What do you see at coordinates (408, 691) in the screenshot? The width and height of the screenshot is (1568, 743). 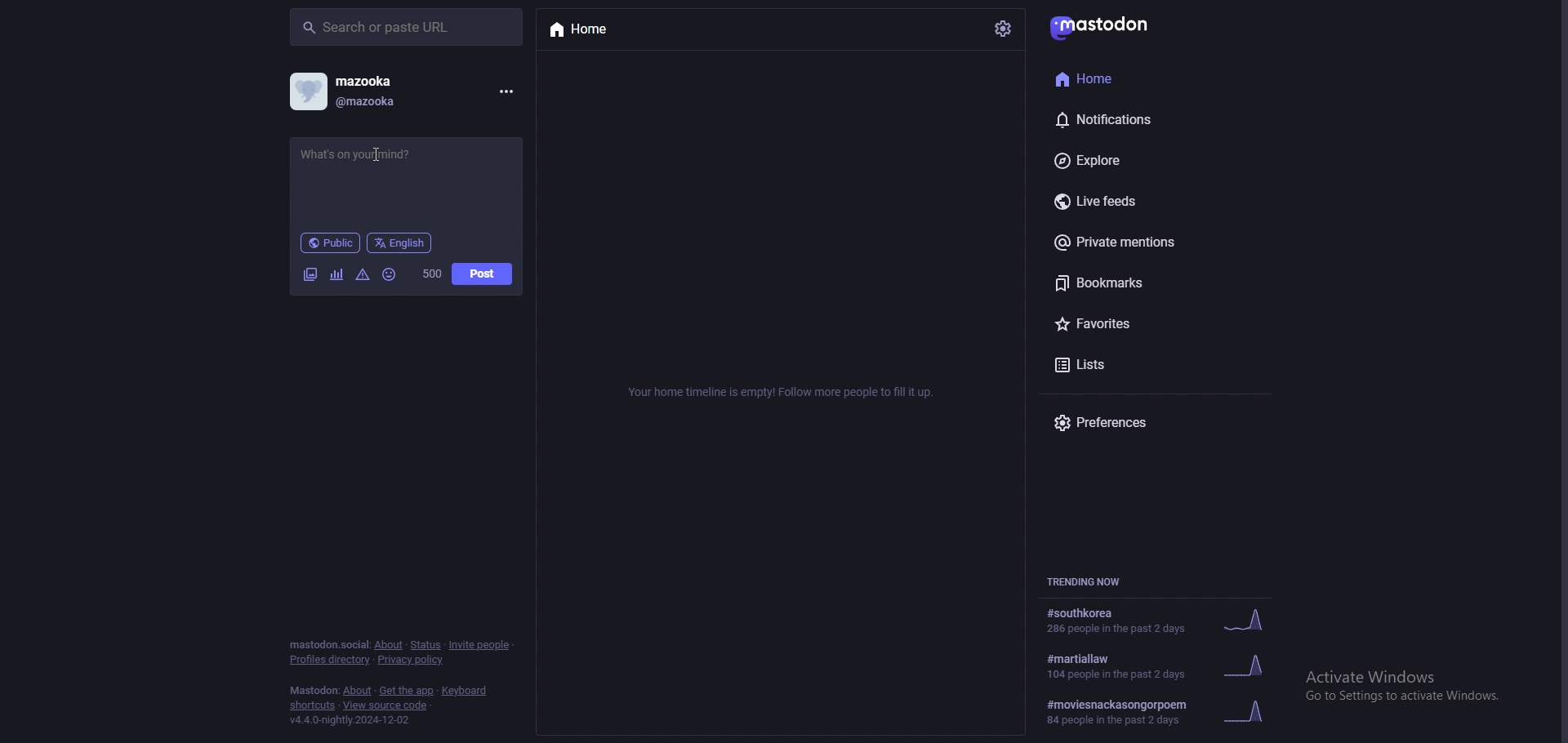 I see `get the app` at bounding box center [408, 691].